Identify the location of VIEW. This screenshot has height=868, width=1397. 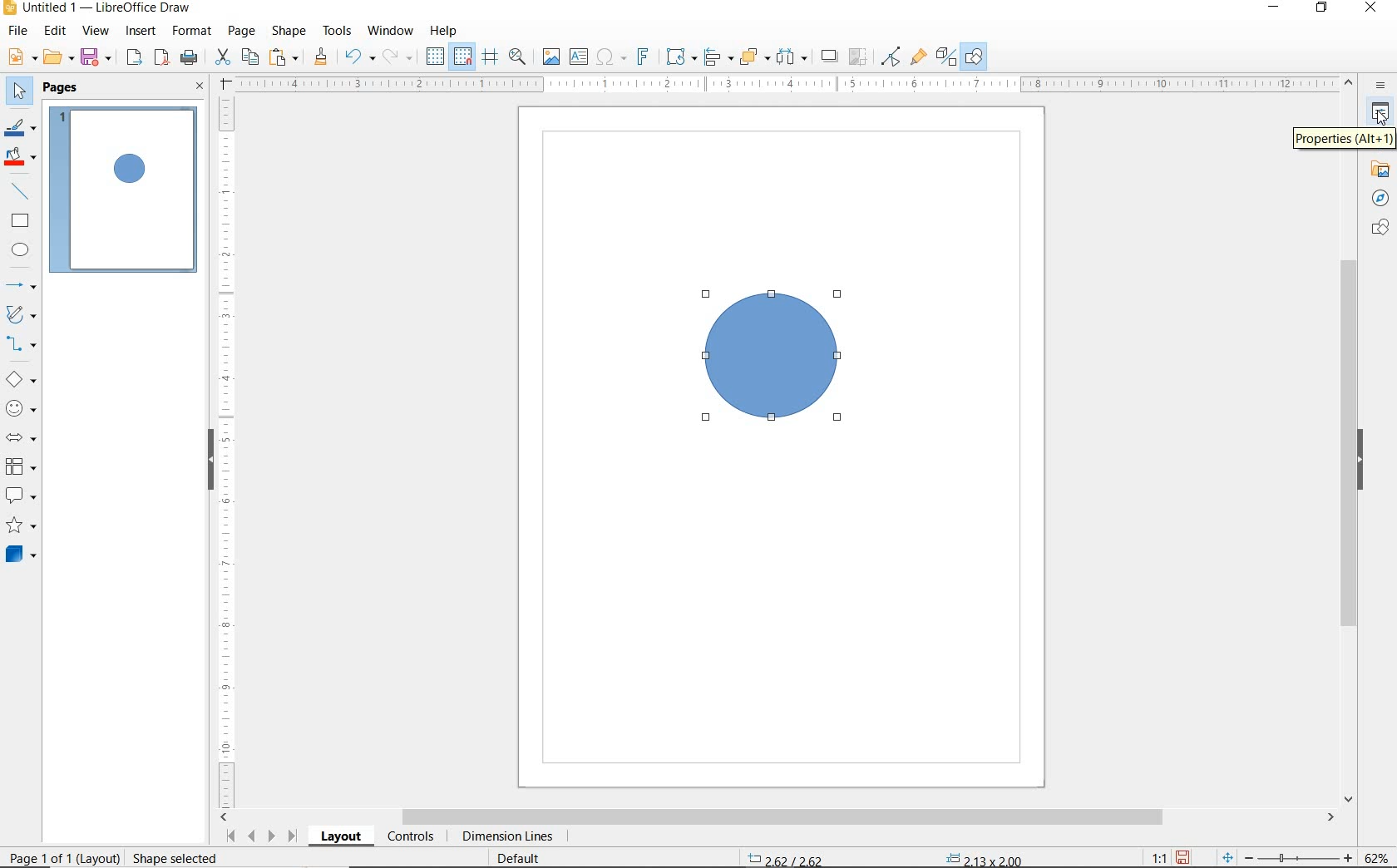
(95, 31).